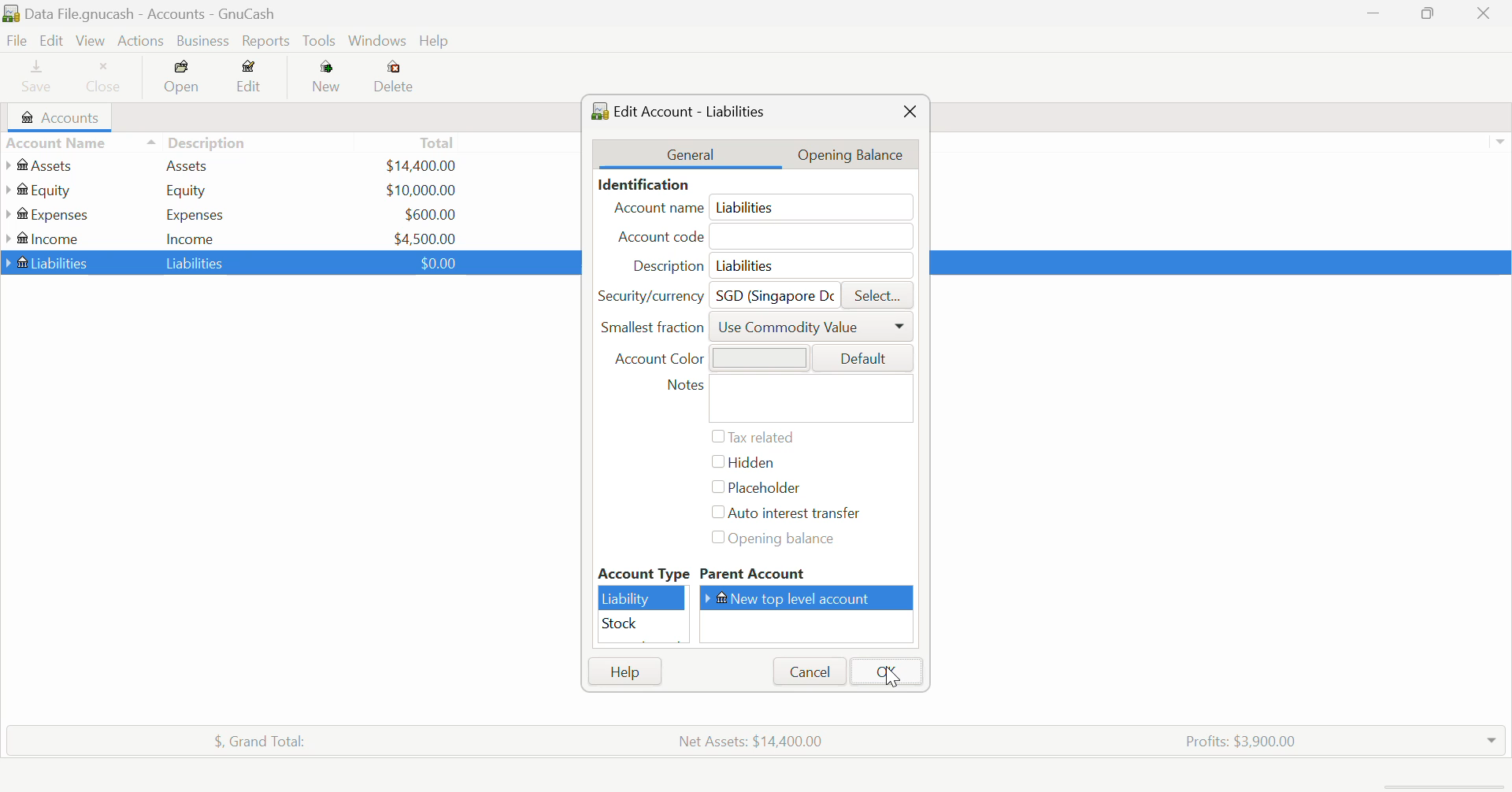 This screenshot has height=792, width=1512. I want to click on USD, so click(421, 190).